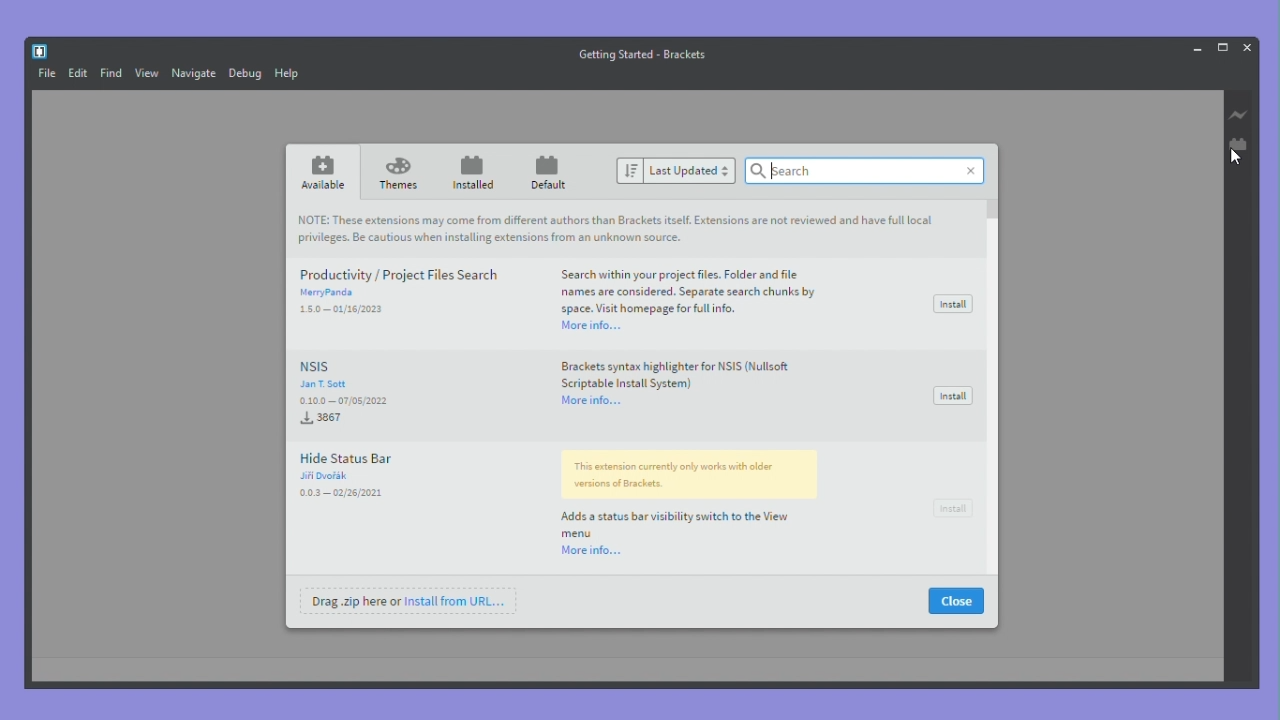 The height and width of the screenshot is (720, 1280). I want to click on Live preview, so click(1240, 116).